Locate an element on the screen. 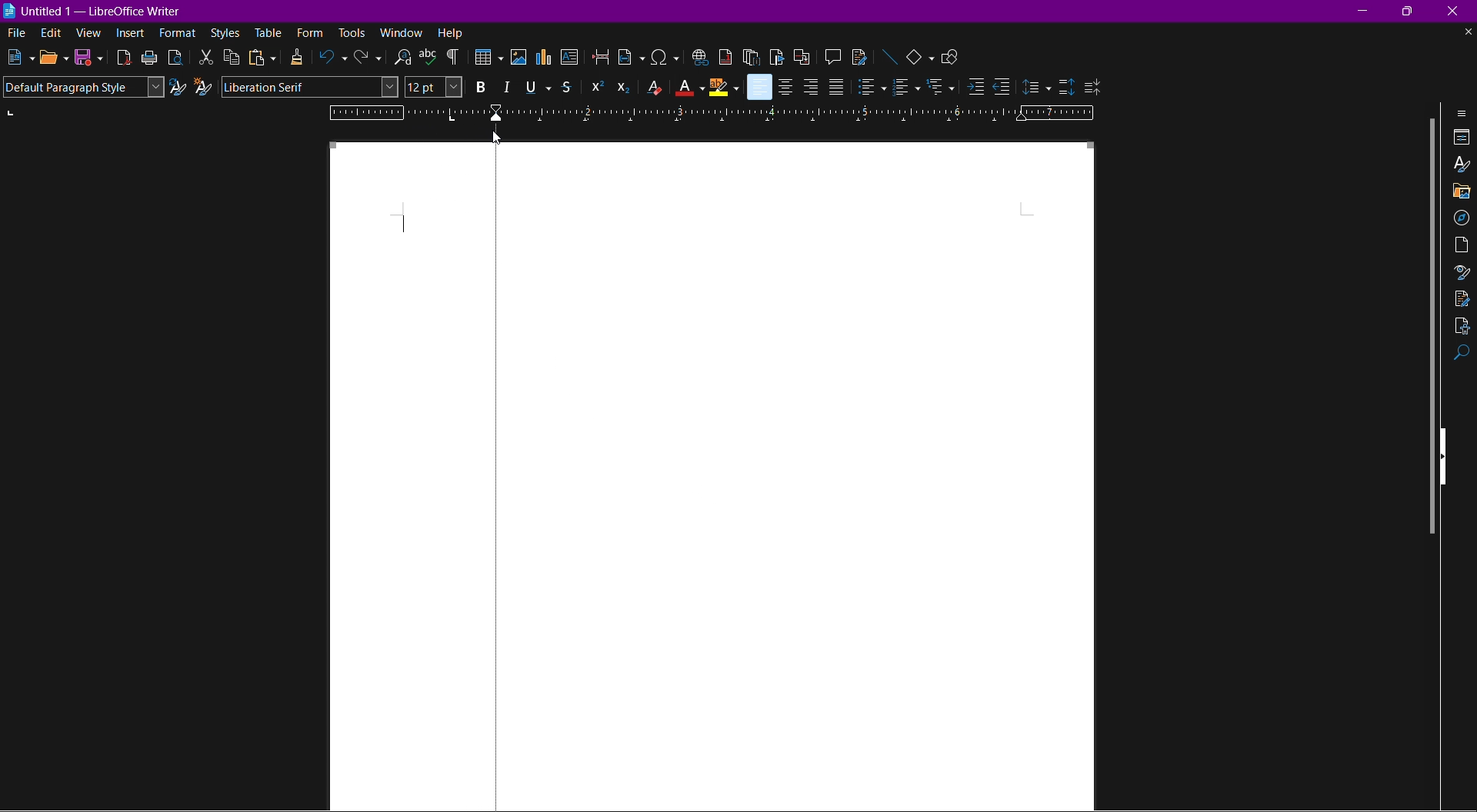 The height and width of the screenshot is (812, 1477). Subscript is located at coordinates (624, 87).